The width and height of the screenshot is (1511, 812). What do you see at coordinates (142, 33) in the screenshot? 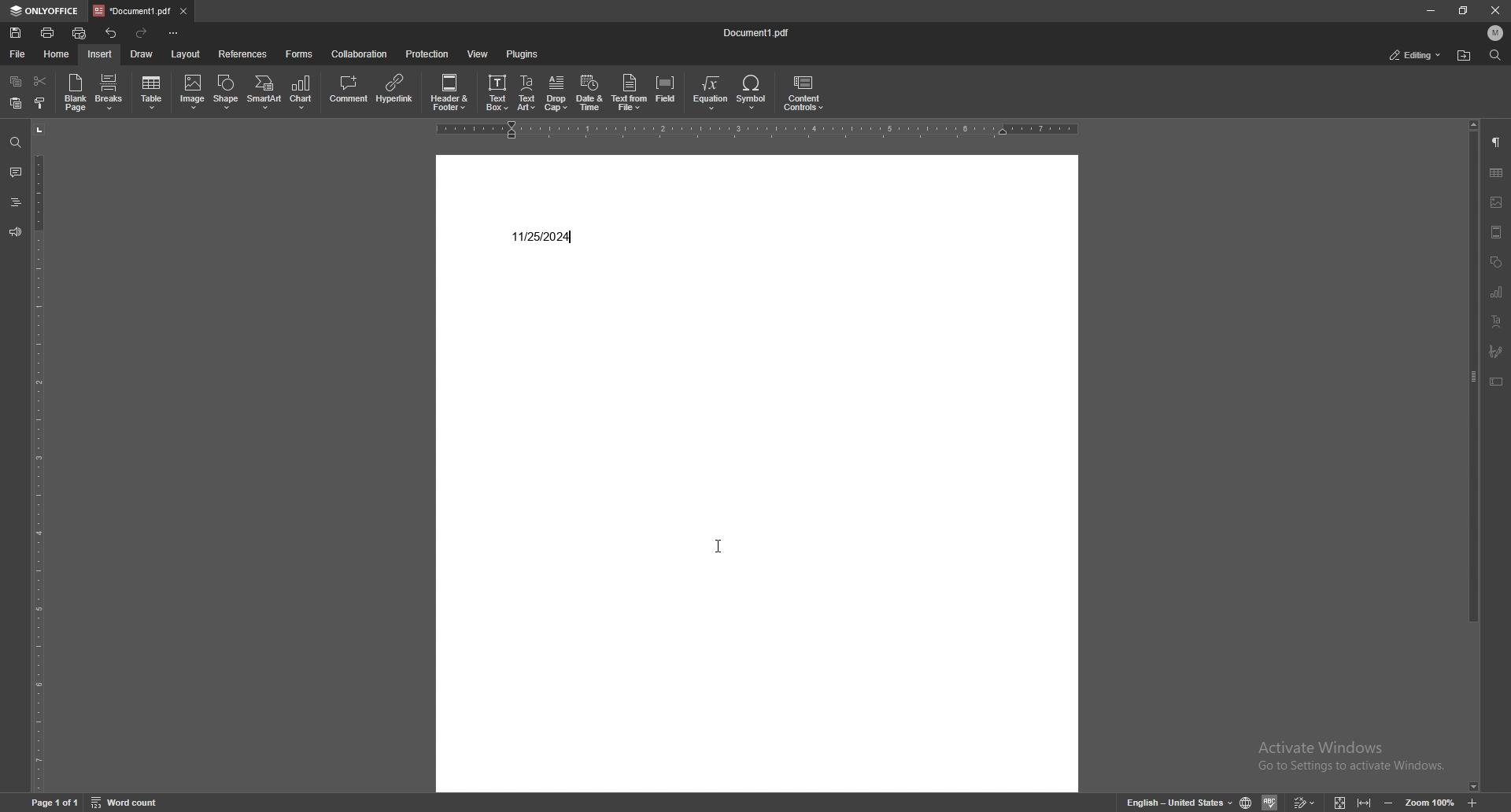
I see `redo` at bounding box center [142, 33].